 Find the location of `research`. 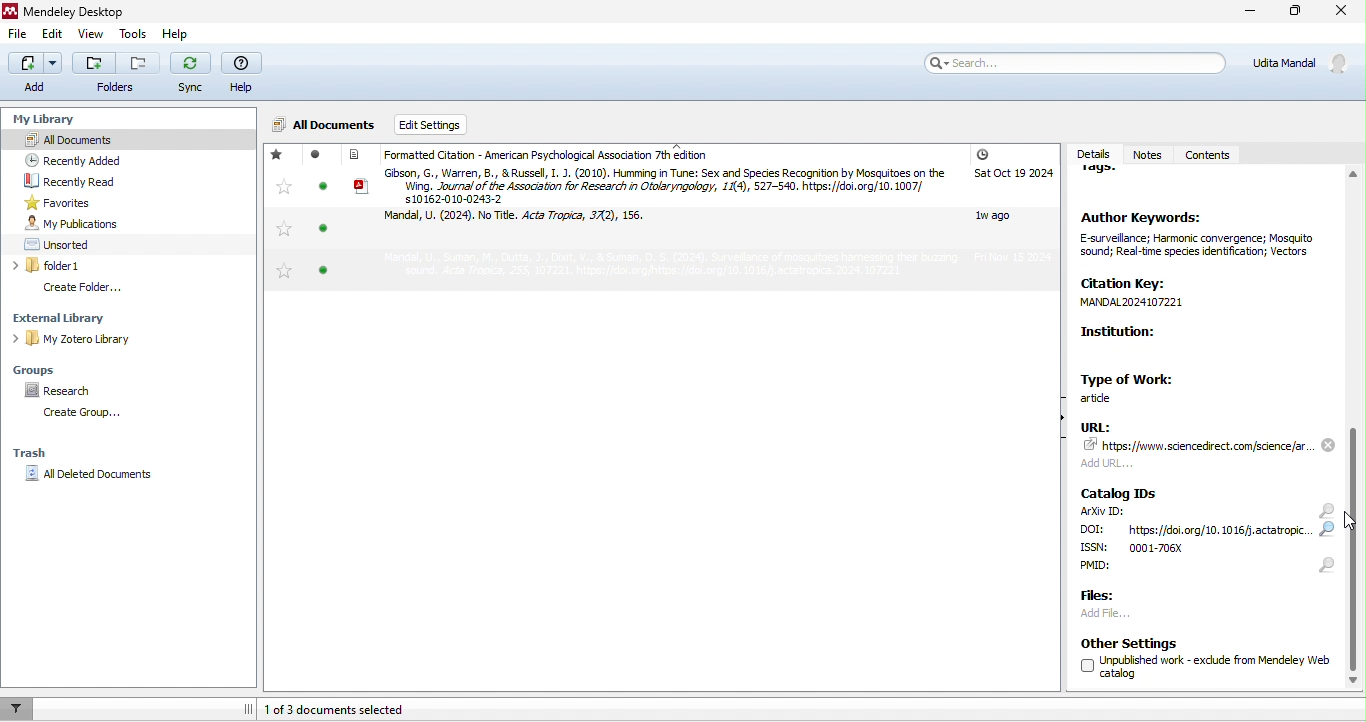

research is located at coordinates (61, 389).